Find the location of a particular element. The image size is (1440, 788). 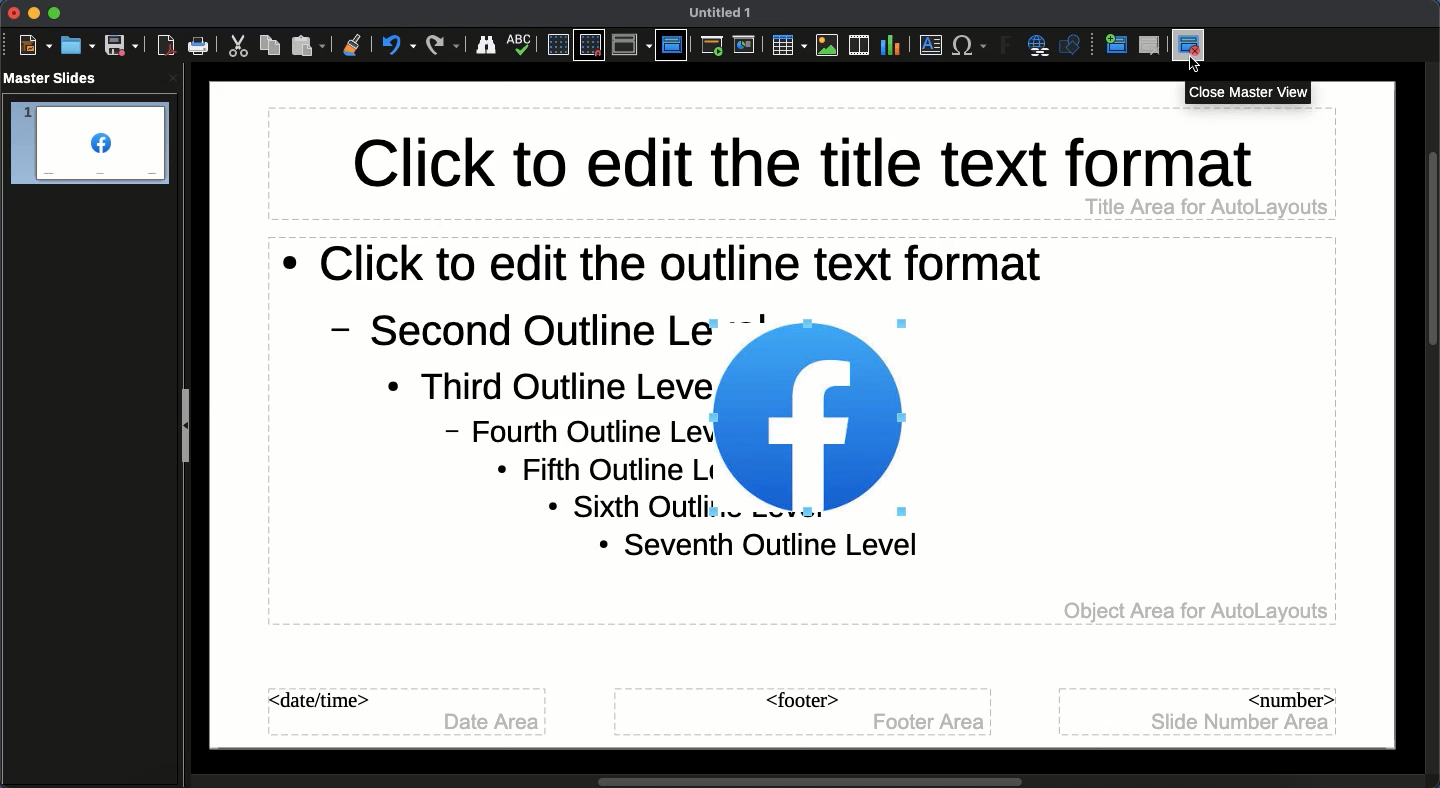

 Object Area for AutoLayouts is located at coordinates (1196, 612).